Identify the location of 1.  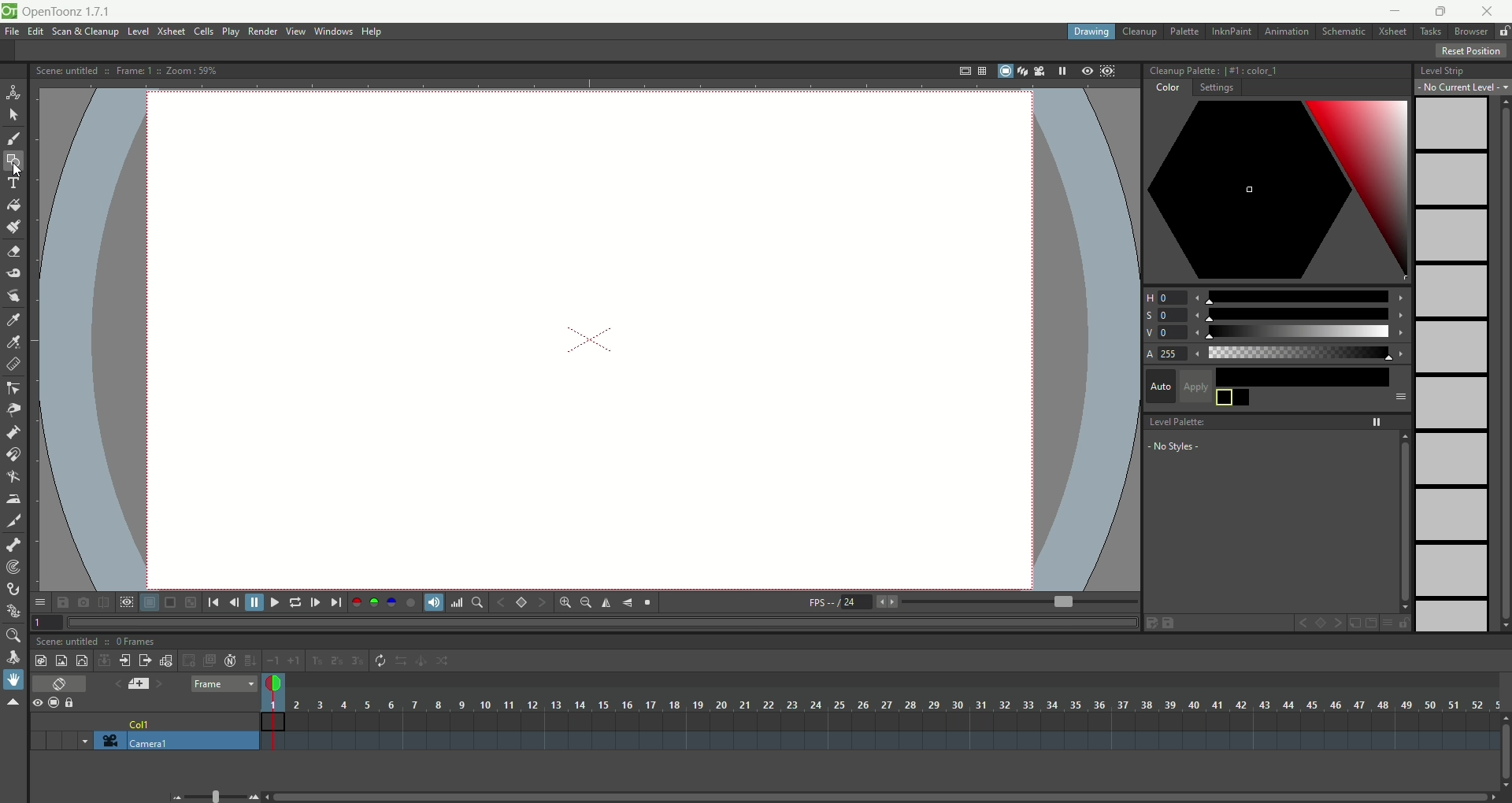
(47, 621).